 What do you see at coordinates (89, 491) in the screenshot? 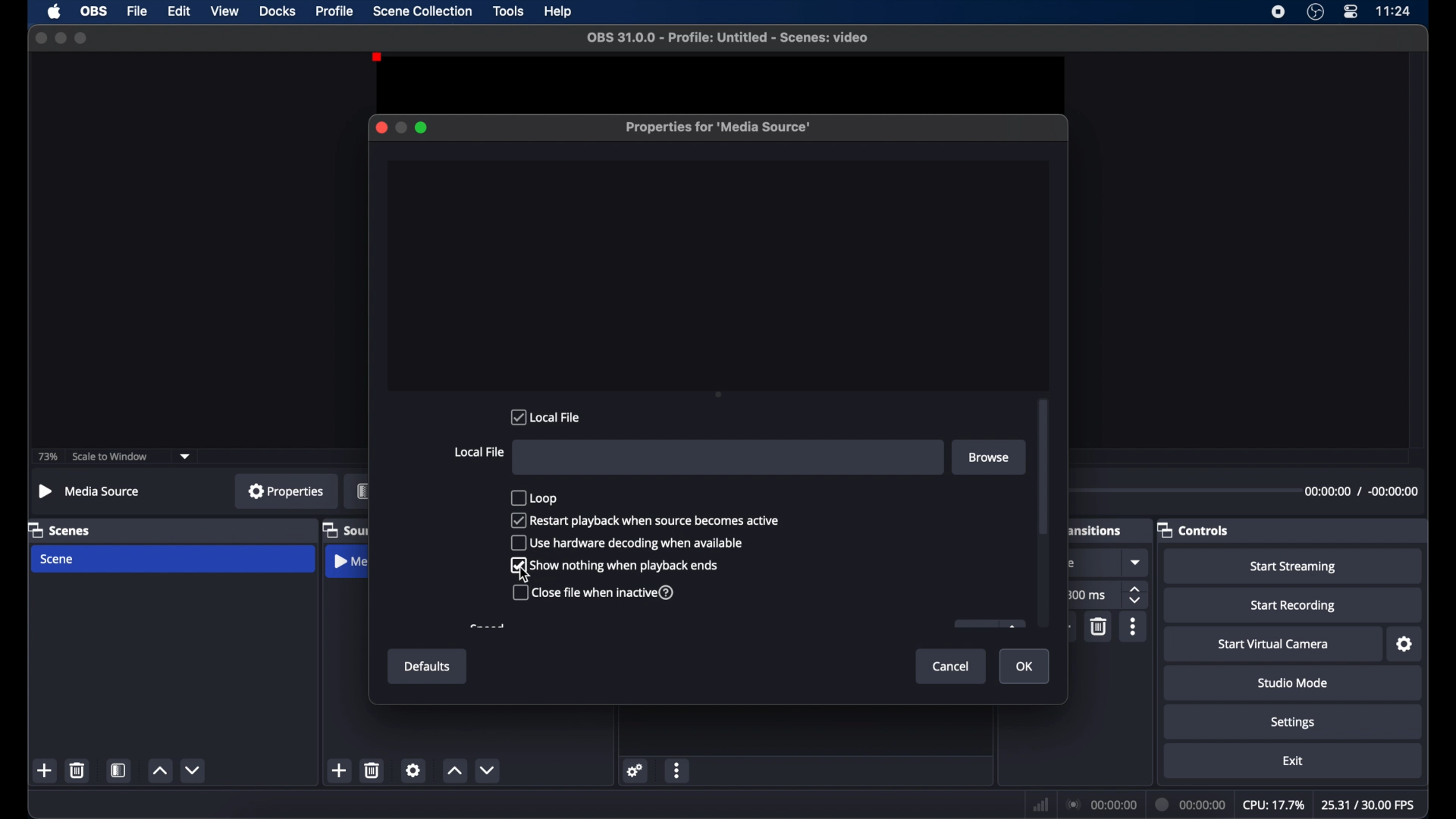
I see `no source selected` at bounding box center [89, 491].